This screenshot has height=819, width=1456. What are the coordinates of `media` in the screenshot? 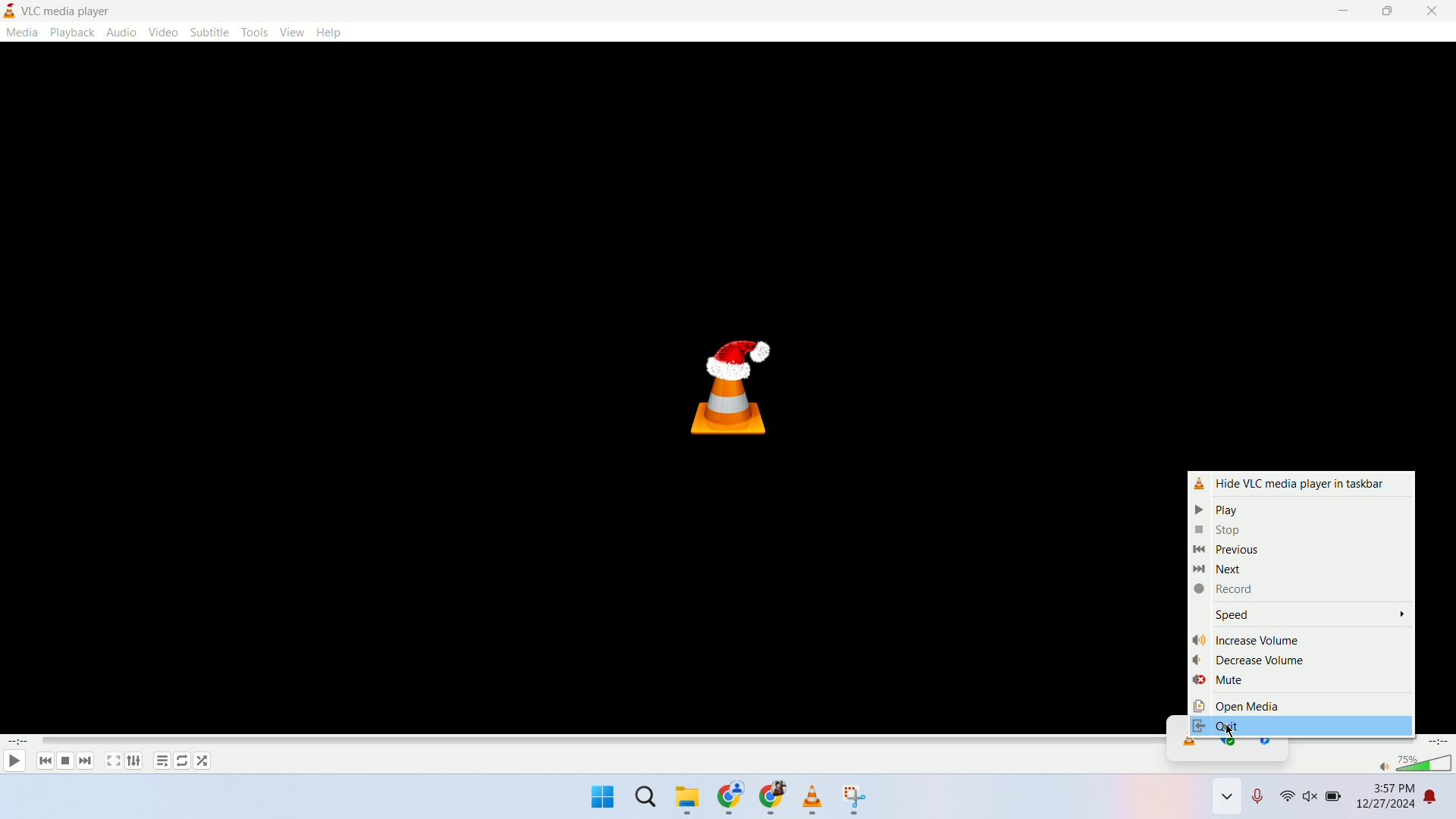 It's located at (21, 32).